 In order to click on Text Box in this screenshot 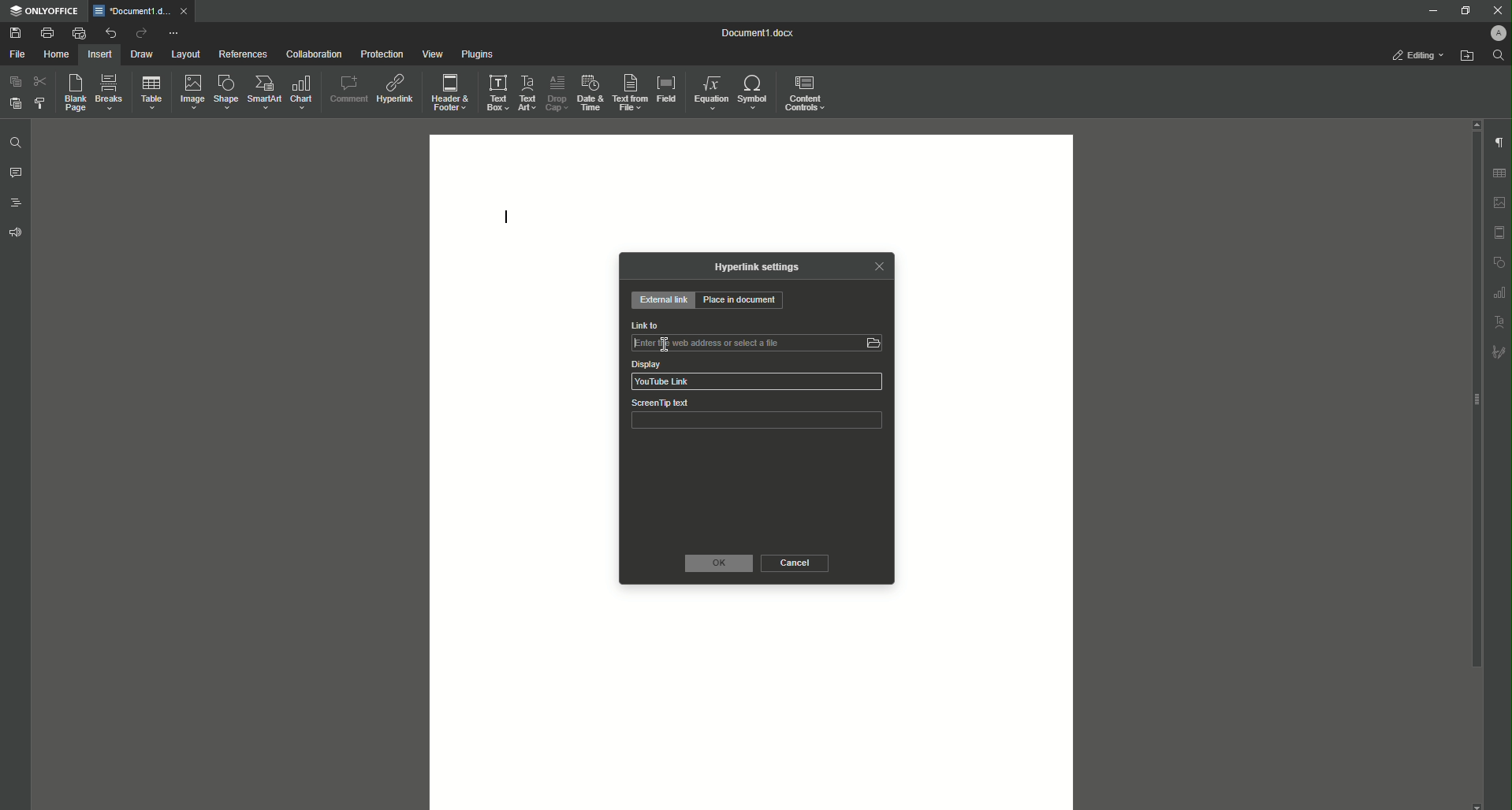, I will do `click(498, 92)`.